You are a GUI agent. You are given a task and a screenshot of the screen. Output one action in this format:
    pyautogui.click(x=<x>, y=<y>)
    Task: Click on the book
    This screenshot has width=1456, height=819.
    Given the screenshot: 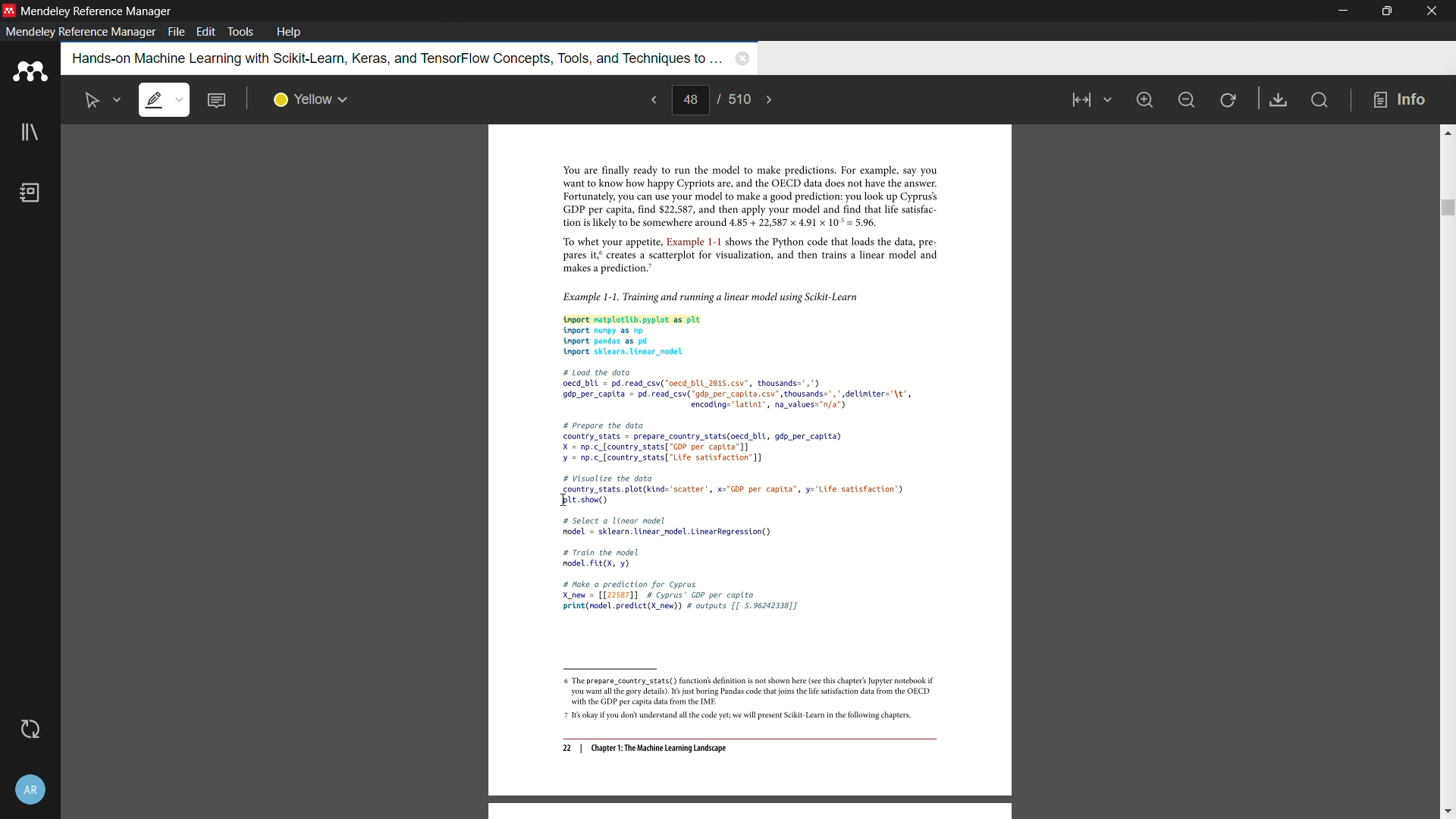 What is the action you would take?
    pyautogui.click(x=31, y=193)
    